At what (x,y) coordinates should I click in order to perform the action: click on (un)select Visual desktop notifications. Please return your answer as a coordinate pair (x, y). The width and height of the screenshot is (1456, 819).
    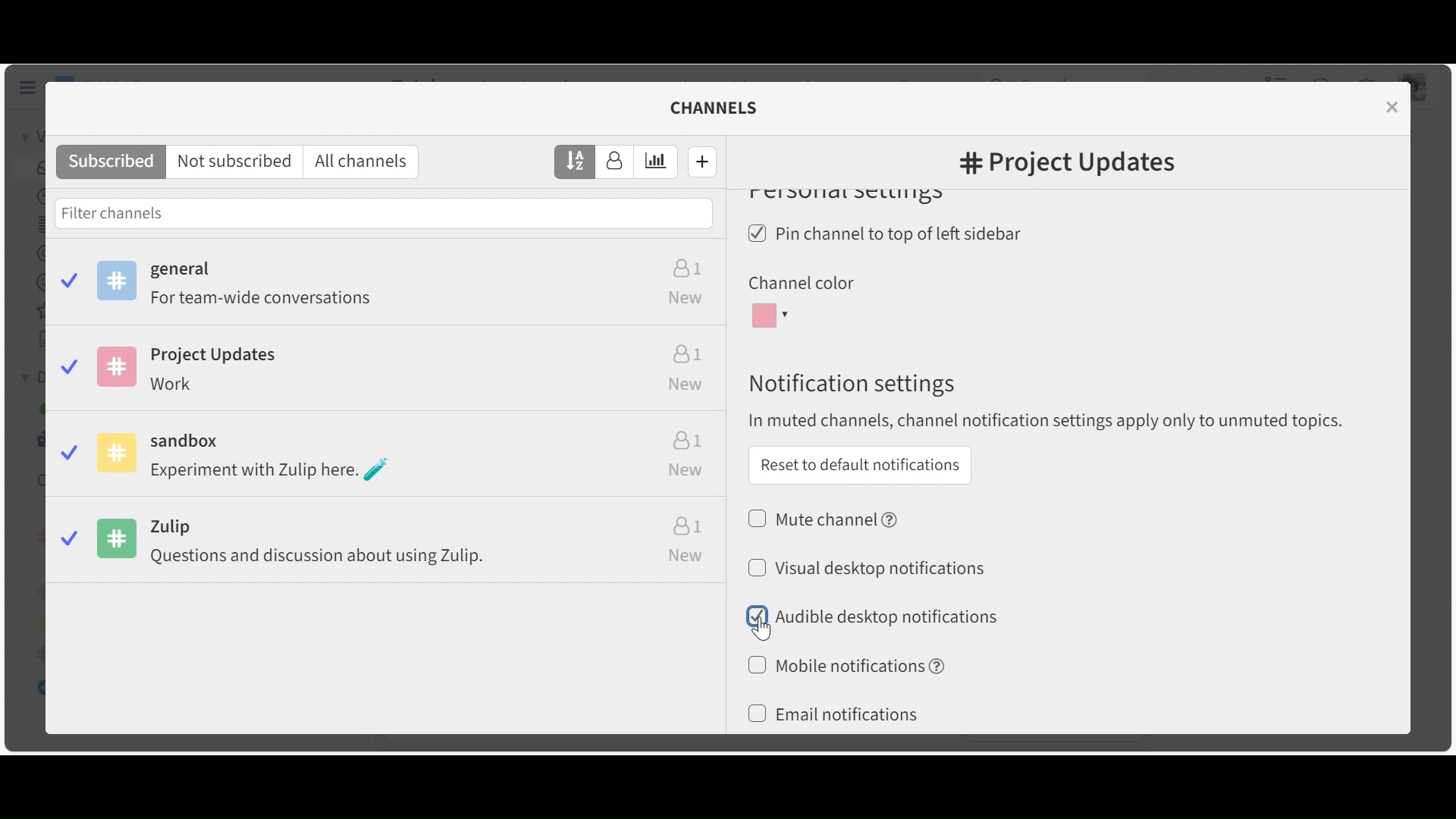
    Looking at the image, I should click on (866, 566).